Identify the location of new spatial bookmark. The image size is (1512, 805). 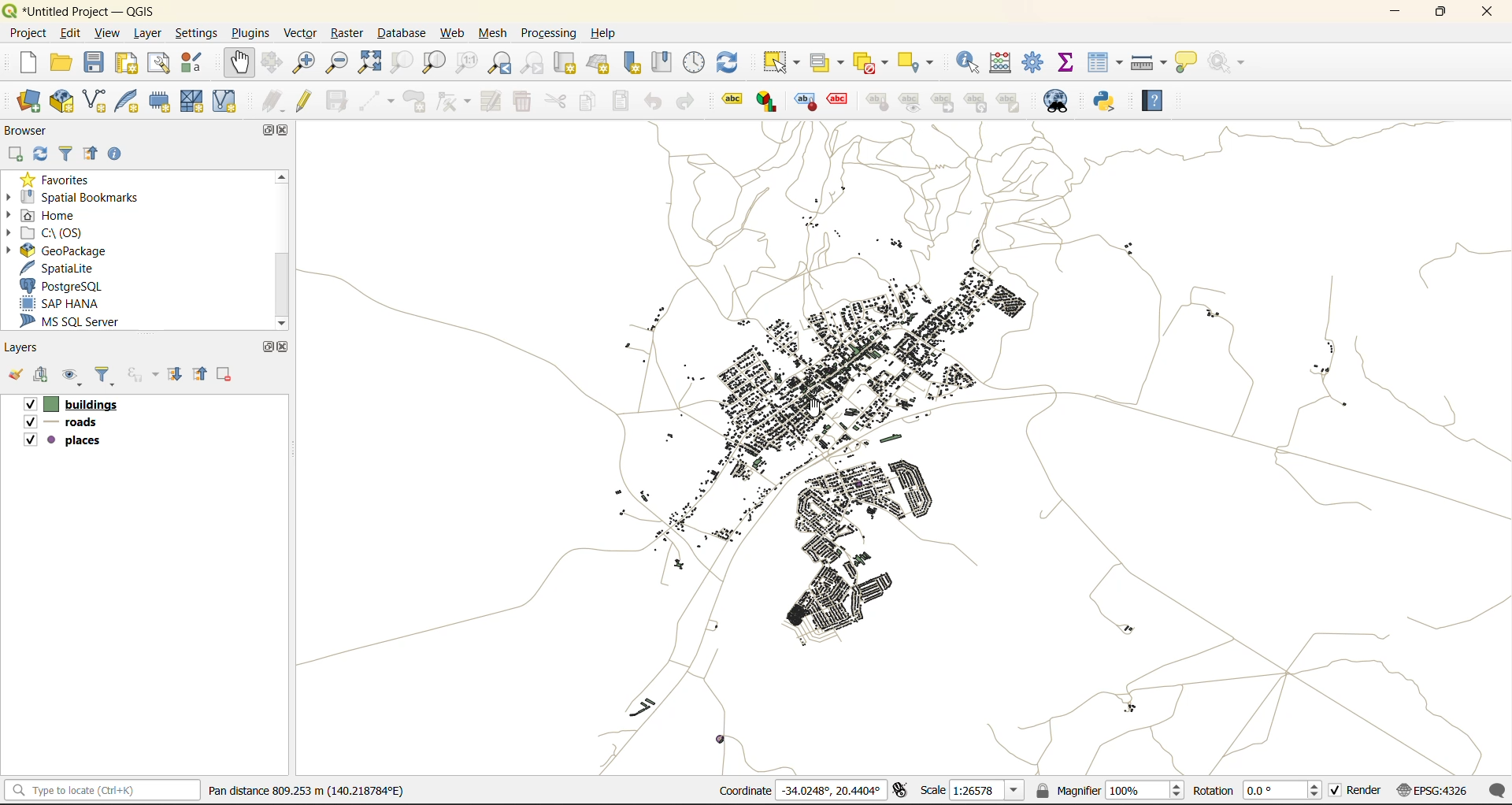
(632, 65).